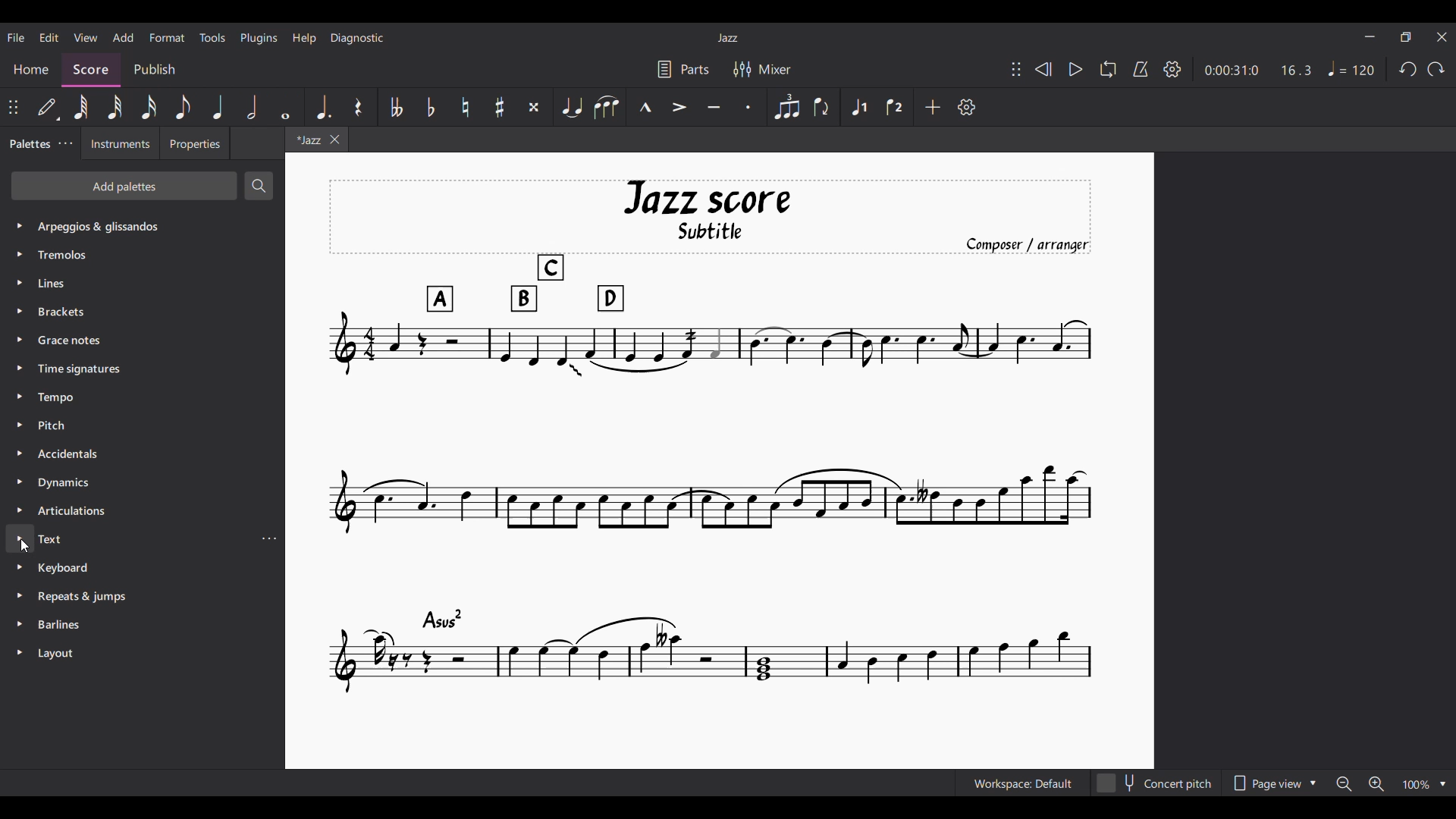  I want to click on Rewind, so click(1043, 69).